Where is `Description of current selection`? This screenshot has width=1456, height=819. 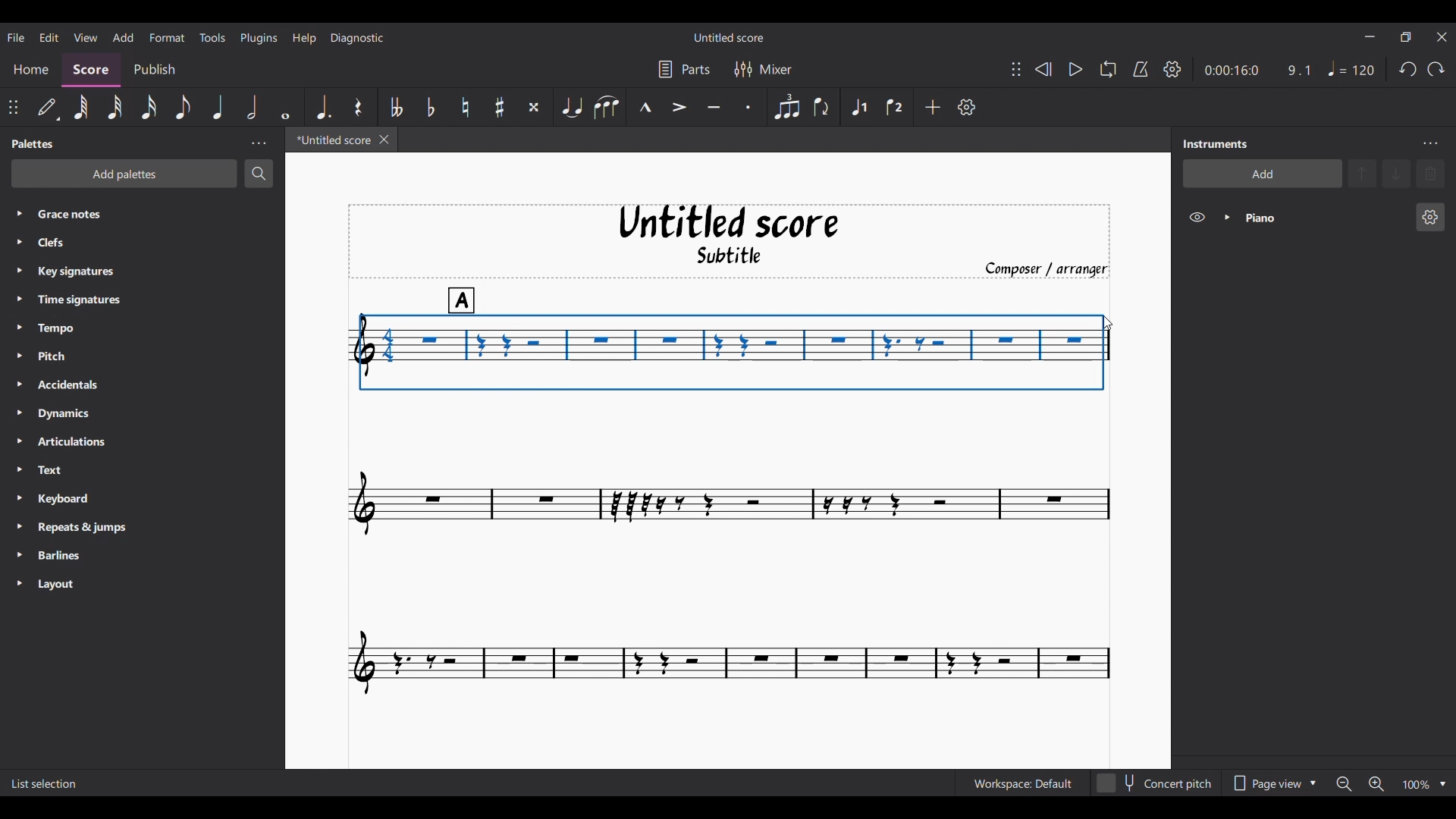 Description of current selection is located at coordinates (45, 785).